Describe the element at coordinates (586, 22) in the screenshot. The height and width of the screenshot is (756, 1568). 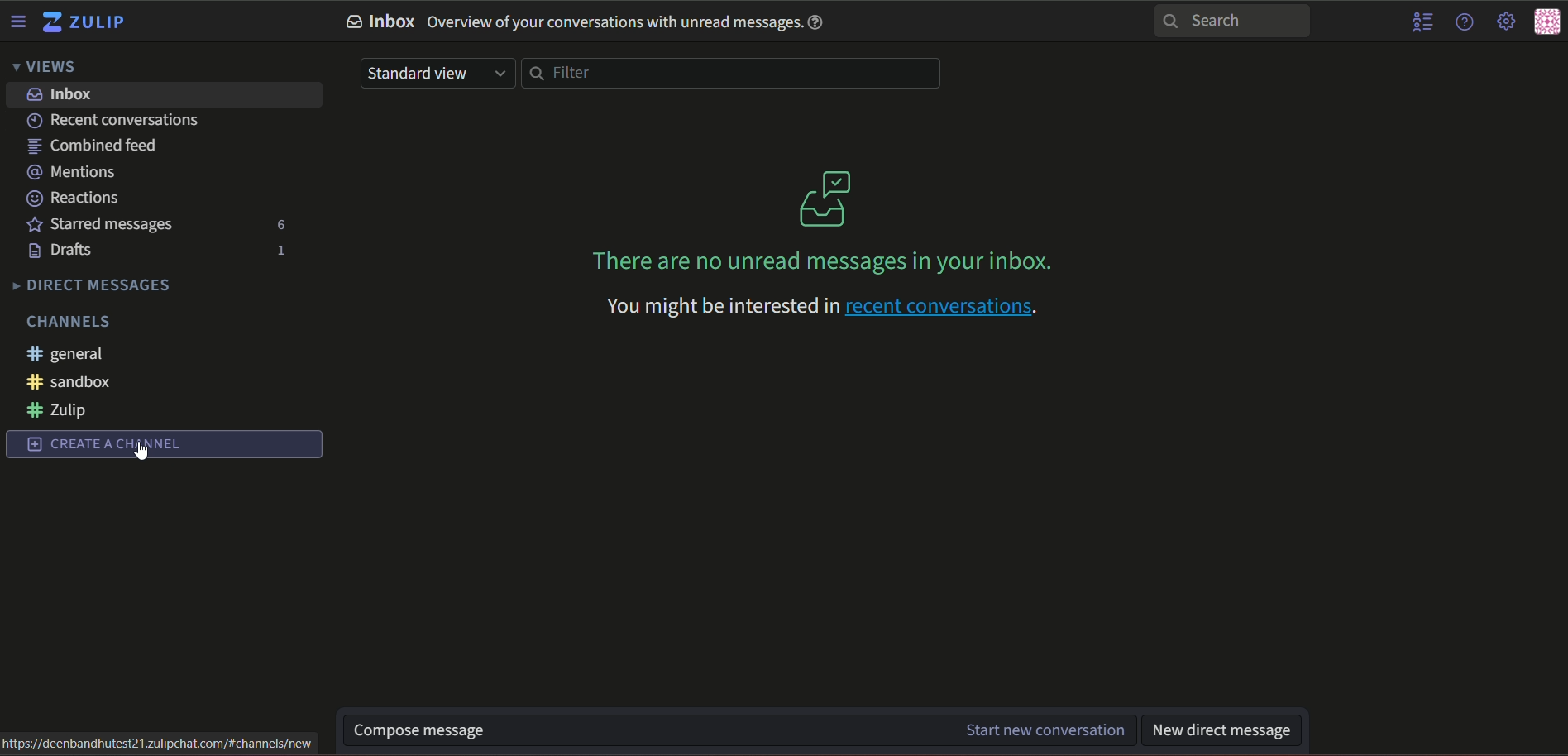
I see `Inbox overview of your conversations with unread messages` at that location.